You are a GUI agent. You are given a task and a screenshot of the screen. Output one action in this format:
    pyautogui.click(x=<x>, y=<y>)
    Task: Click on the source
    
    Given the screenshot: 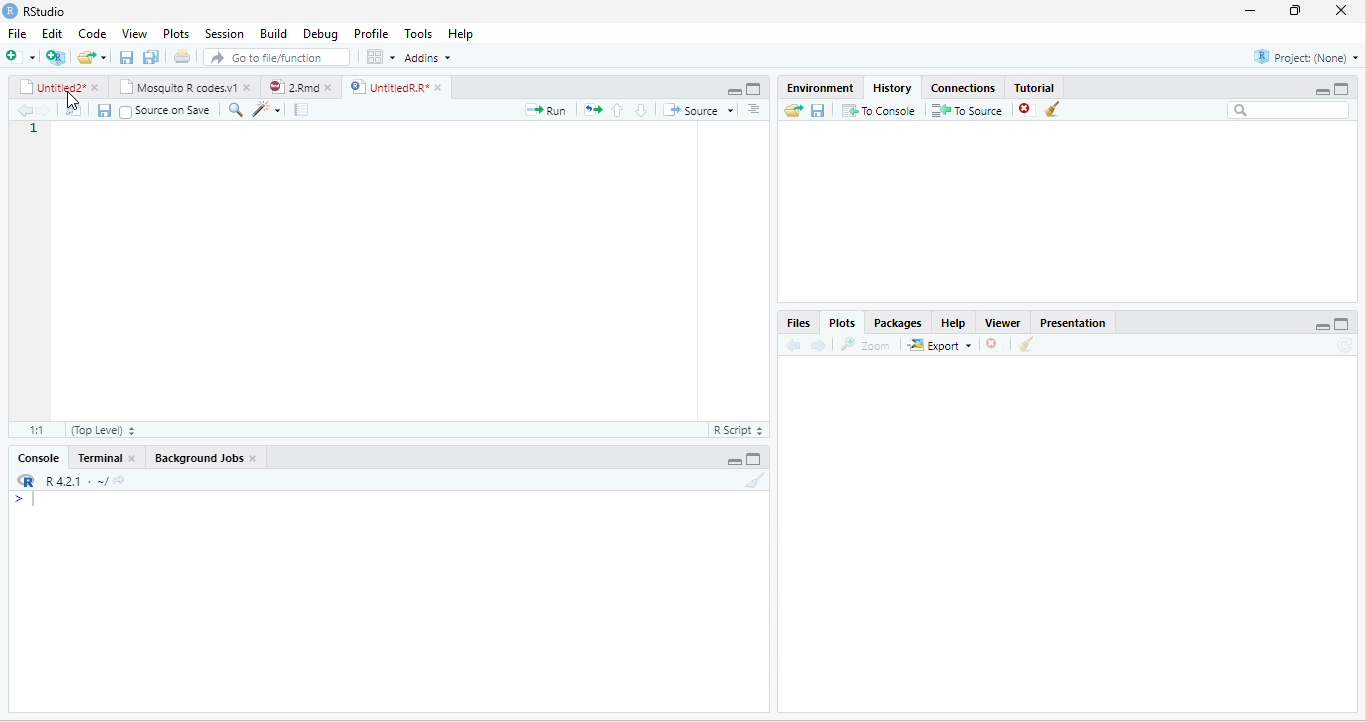 What is the action you would take?
    pyautogui.click(x=700, y=110)
    